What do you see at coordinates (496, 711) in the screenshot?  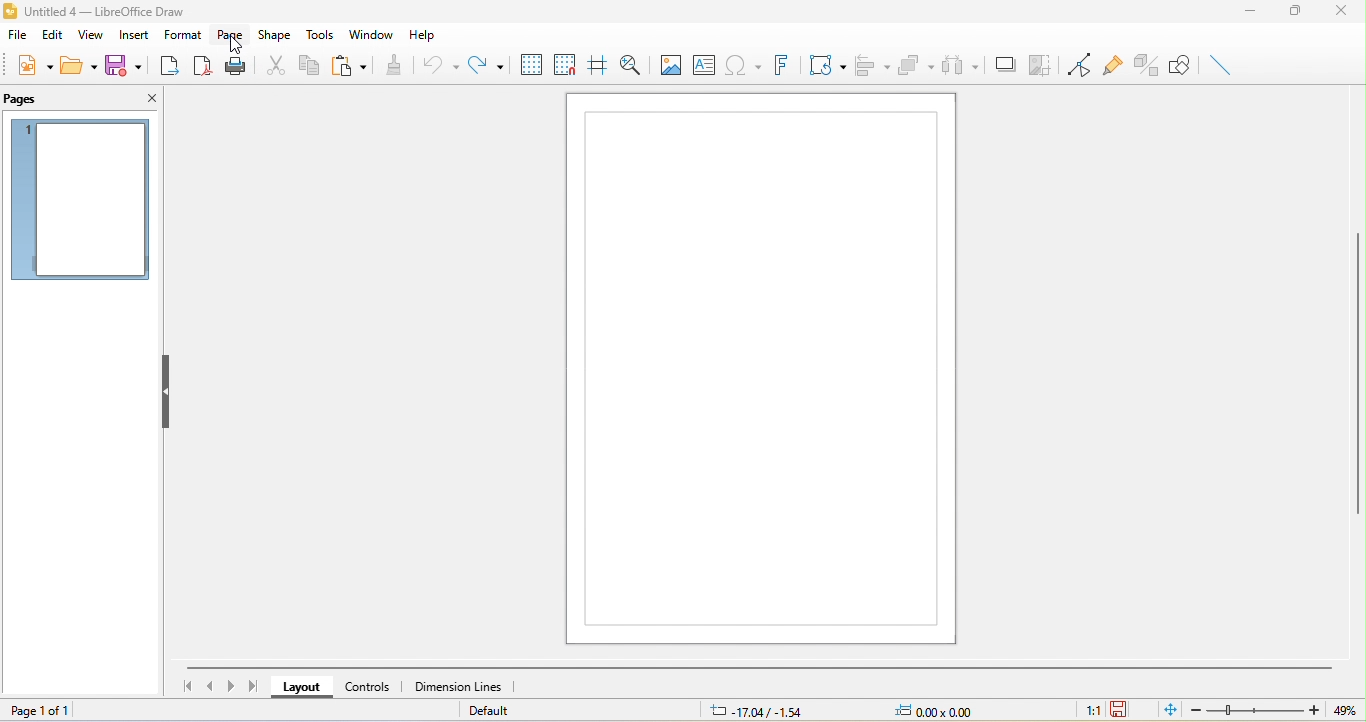 I see `Default` at bounding box center [496, 711].